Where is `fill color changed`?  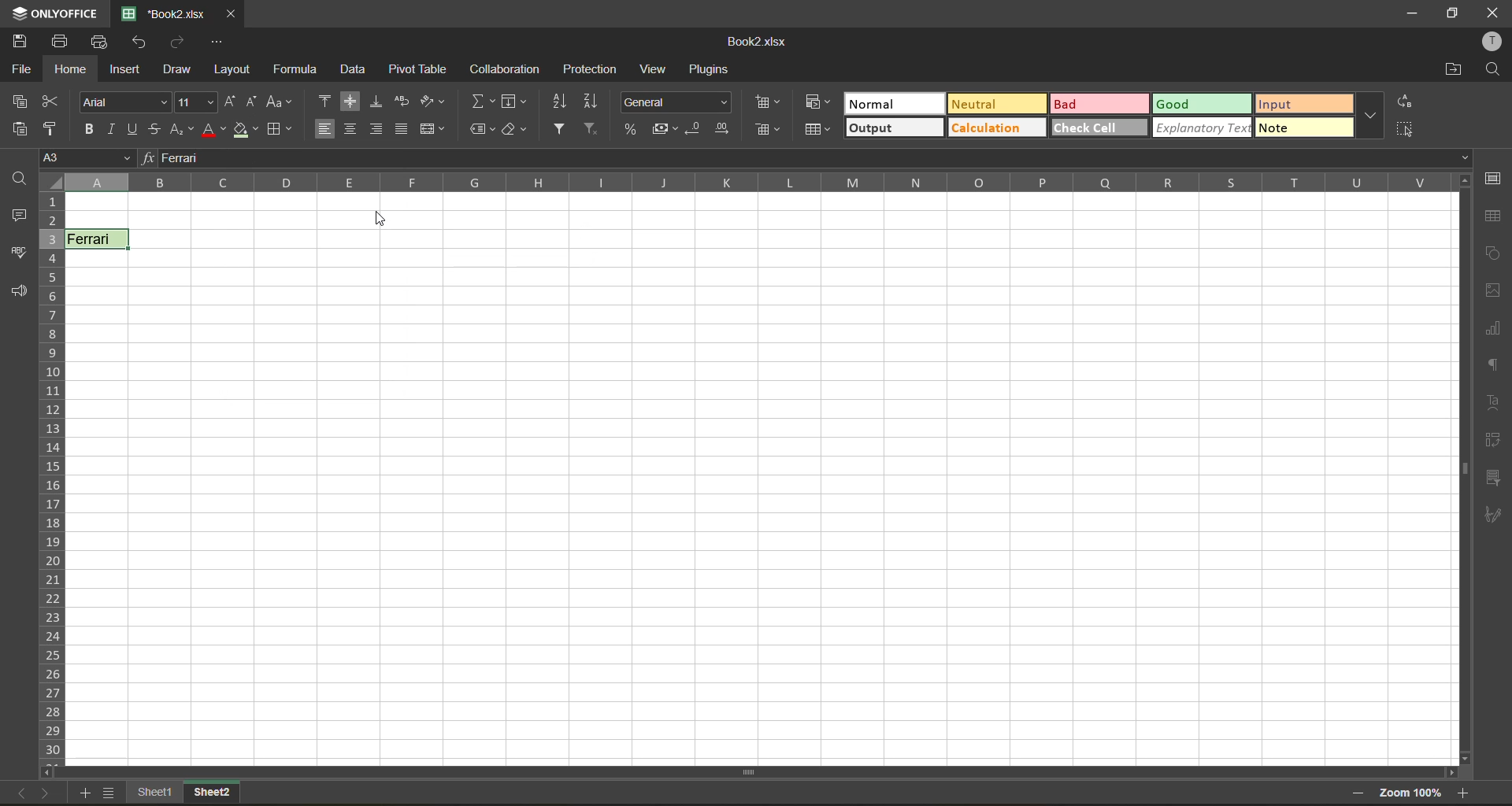 fill color changed is located at coordinates (99, 239).